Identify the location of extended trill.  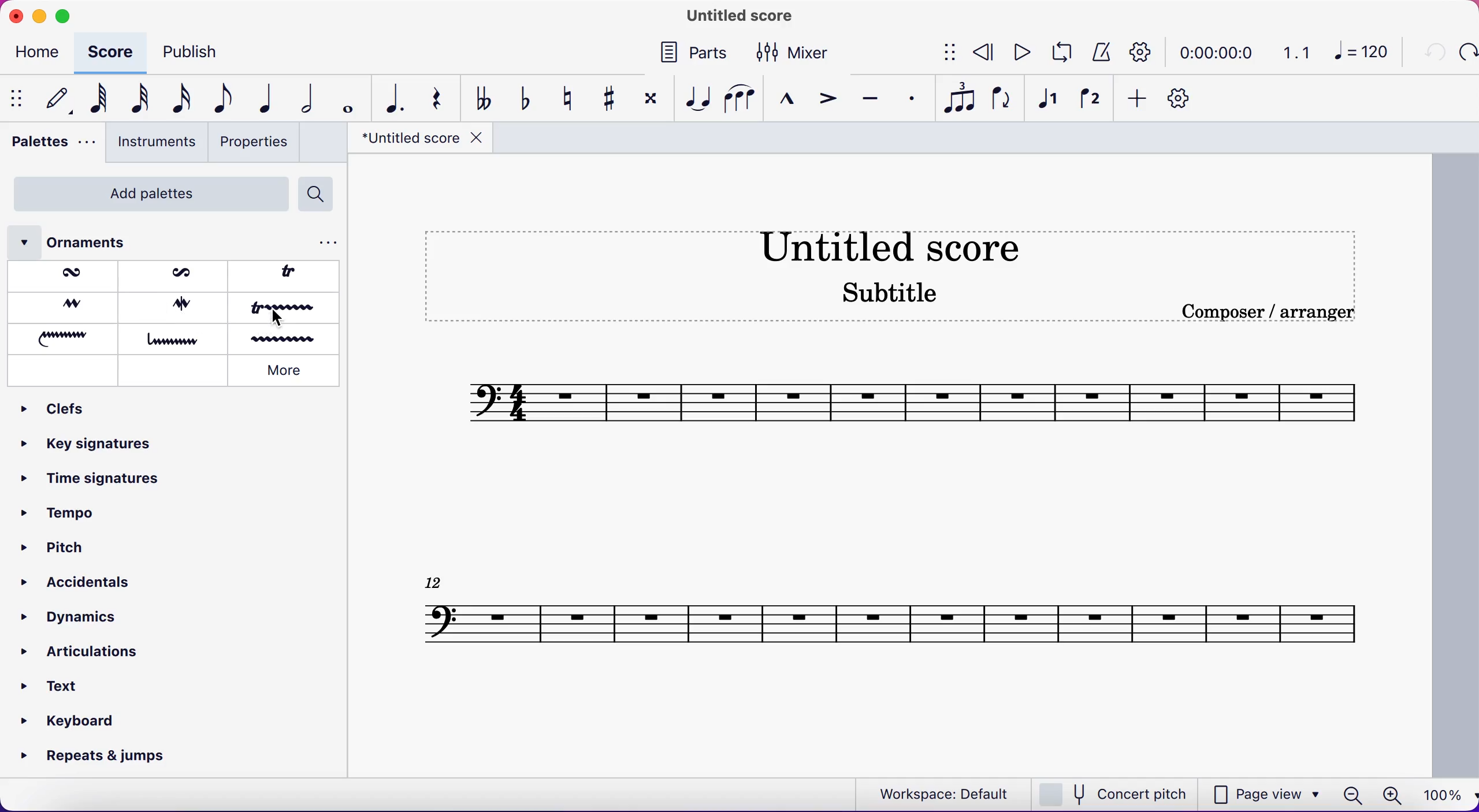
(286, 310).